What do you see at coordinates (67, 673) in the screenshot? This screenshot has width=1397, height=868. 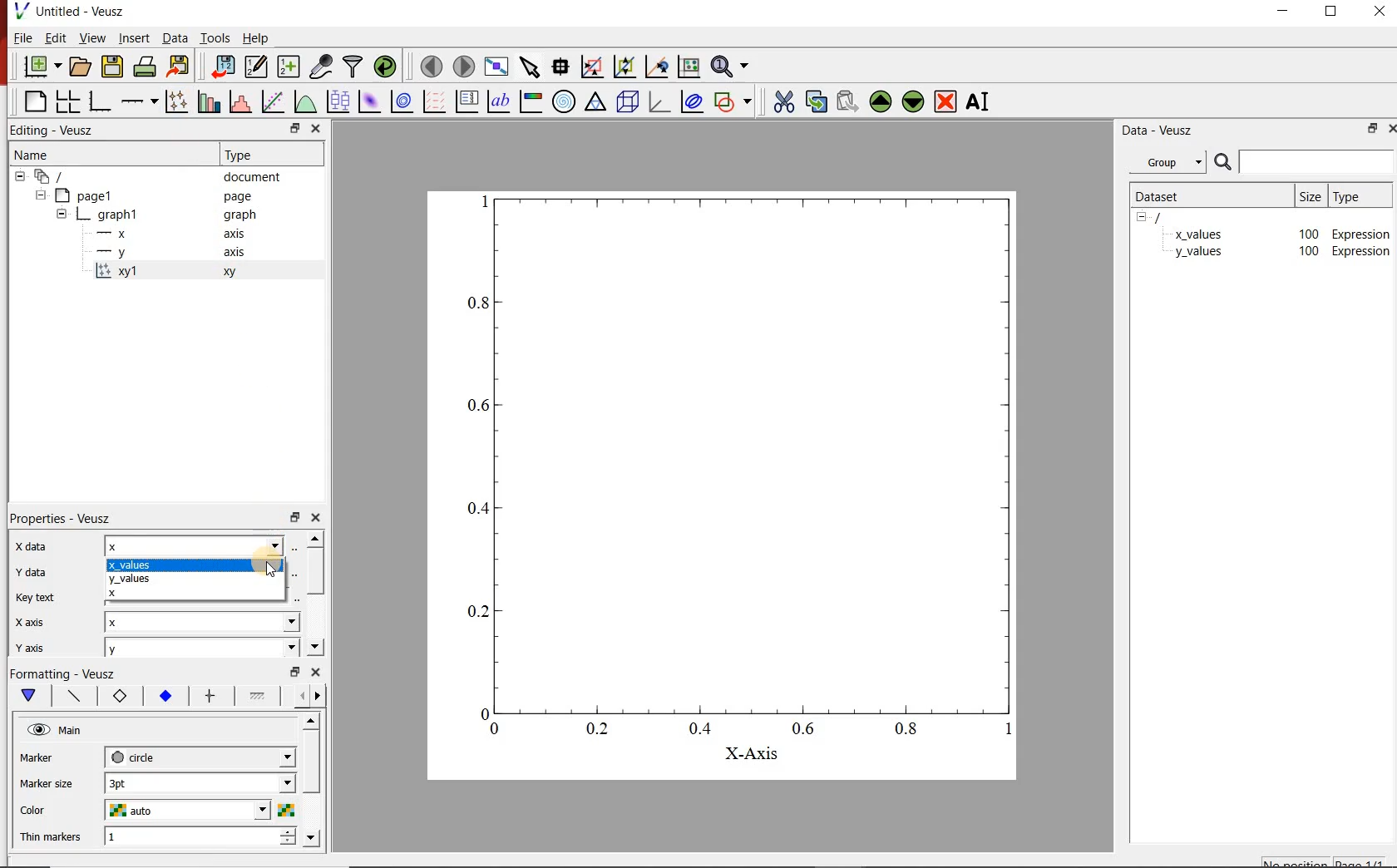 I see `Formatting - Veusz` at bounding box center [67, 673].